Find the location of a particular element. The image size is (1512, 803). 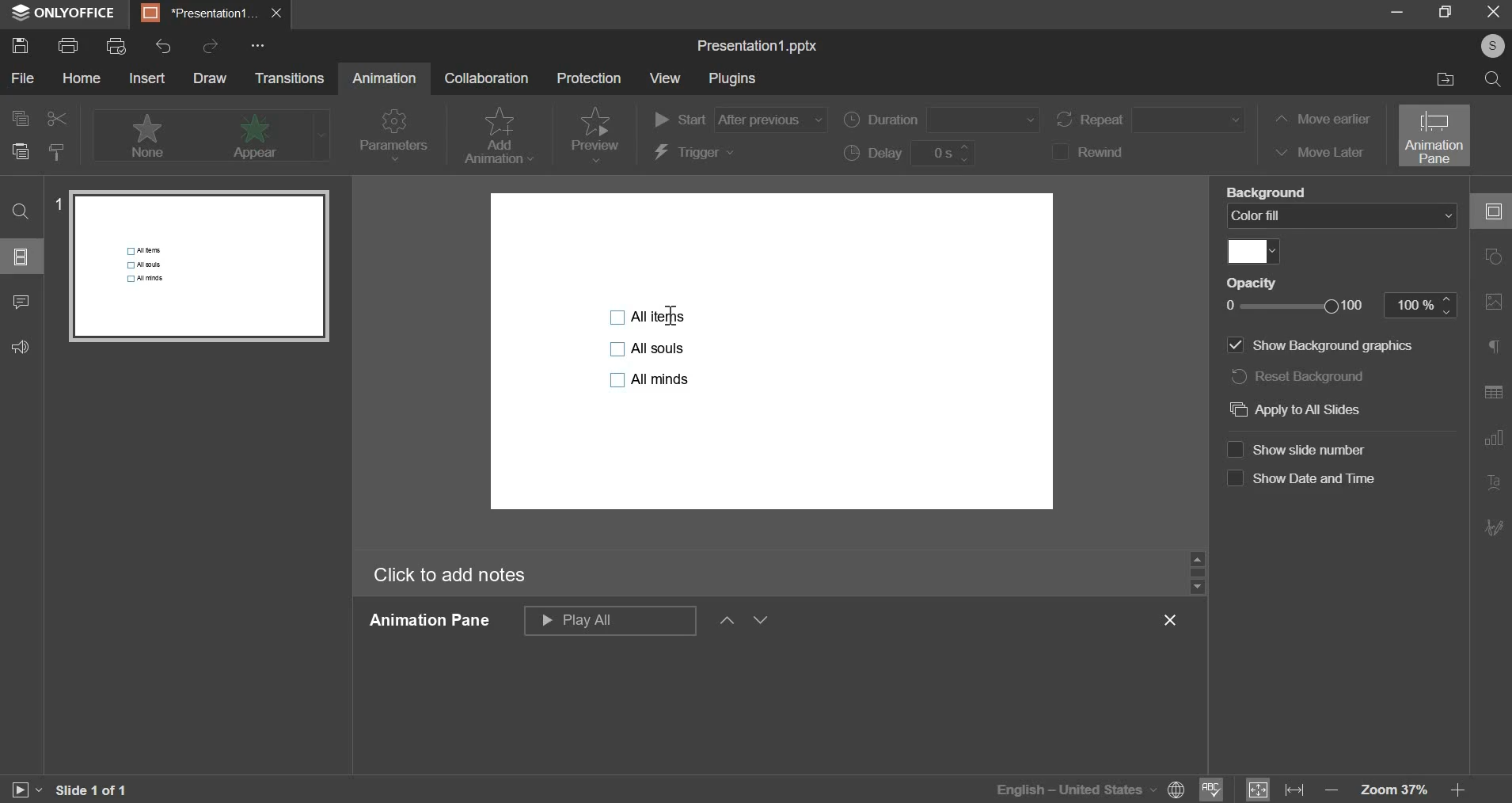

animation is located at coordinates (384, 78).